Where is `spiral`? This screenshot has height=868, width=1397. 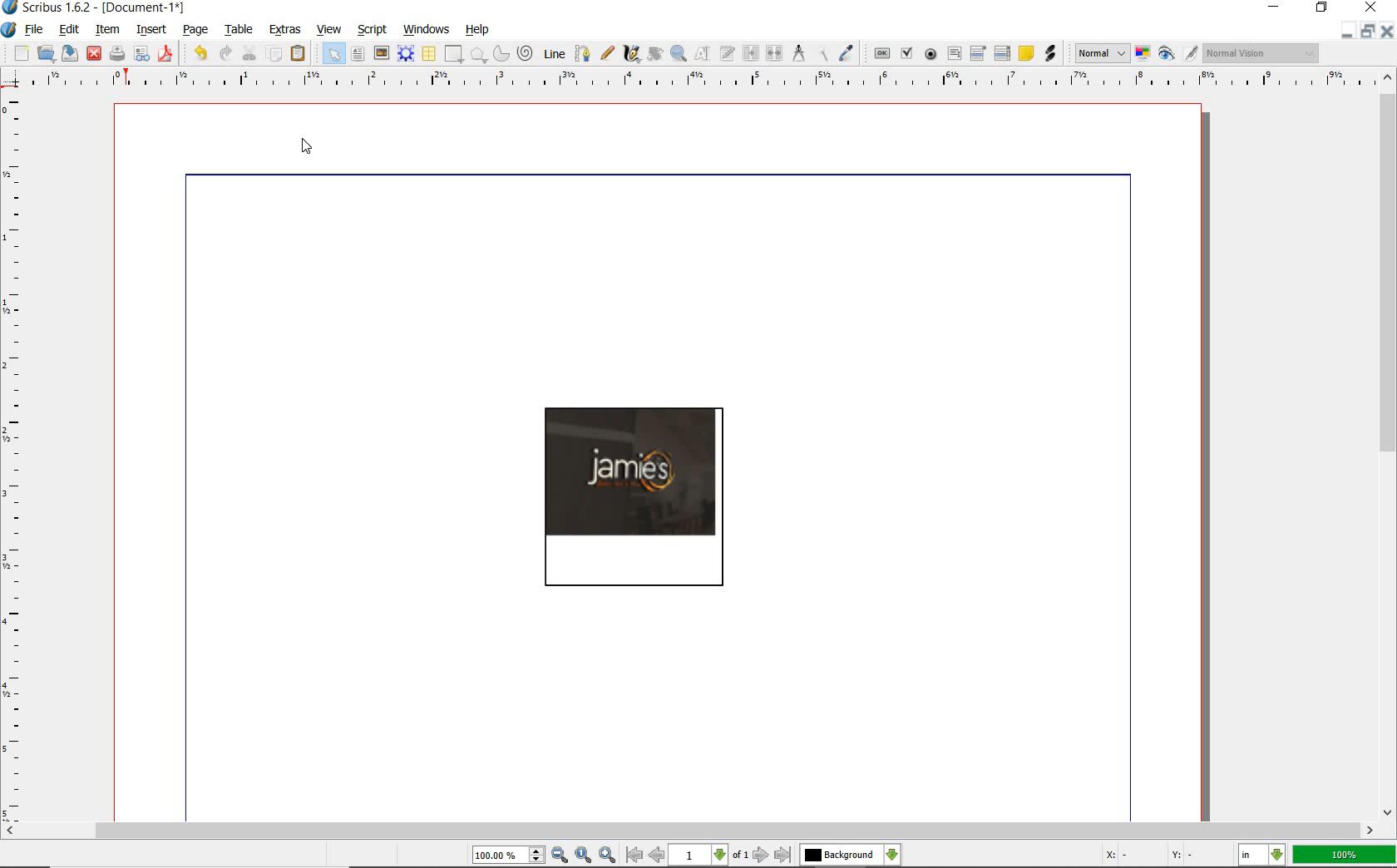 spiral is located at coordinates (526, 52).